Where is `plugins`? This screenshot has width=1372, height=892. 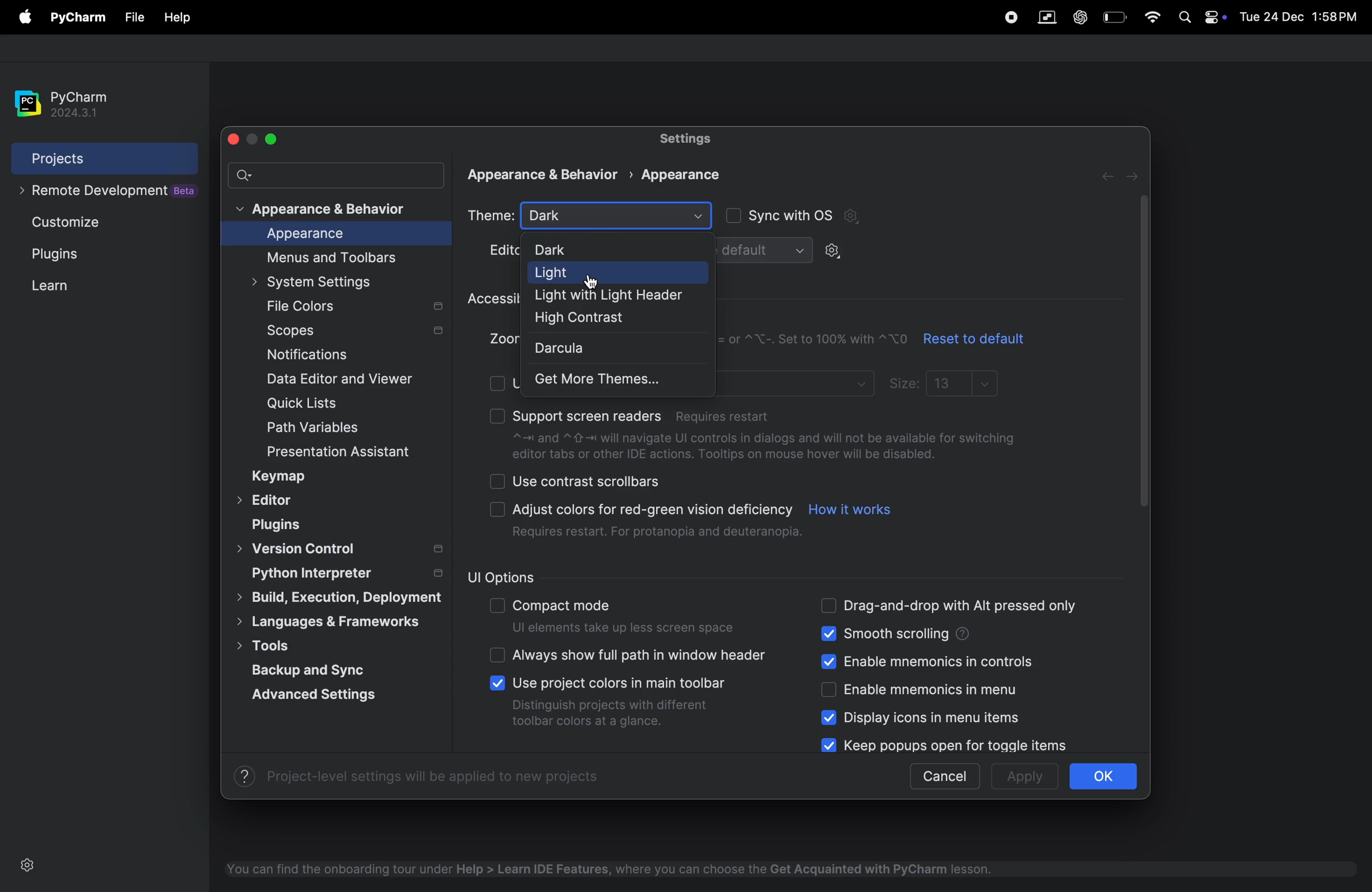 plugins is located at coordinates (277, 524).